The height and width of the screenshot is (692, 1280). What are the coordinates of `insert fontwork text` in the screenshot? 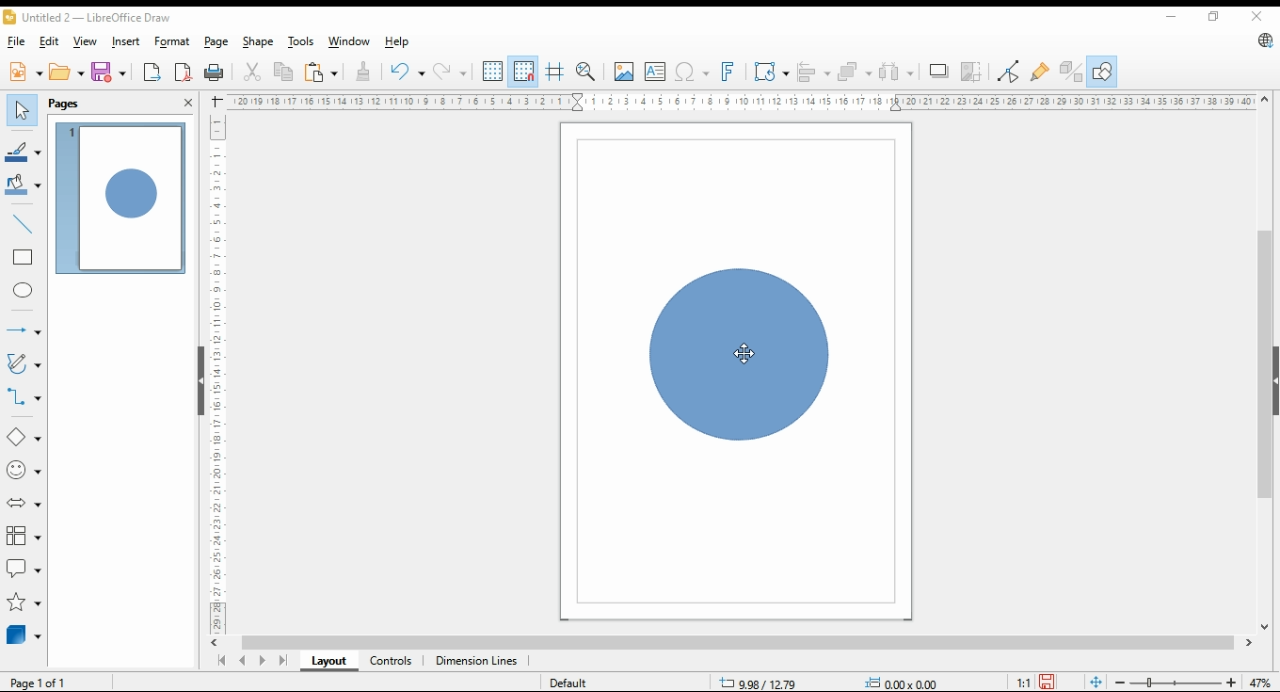 It's located at (731, 72).